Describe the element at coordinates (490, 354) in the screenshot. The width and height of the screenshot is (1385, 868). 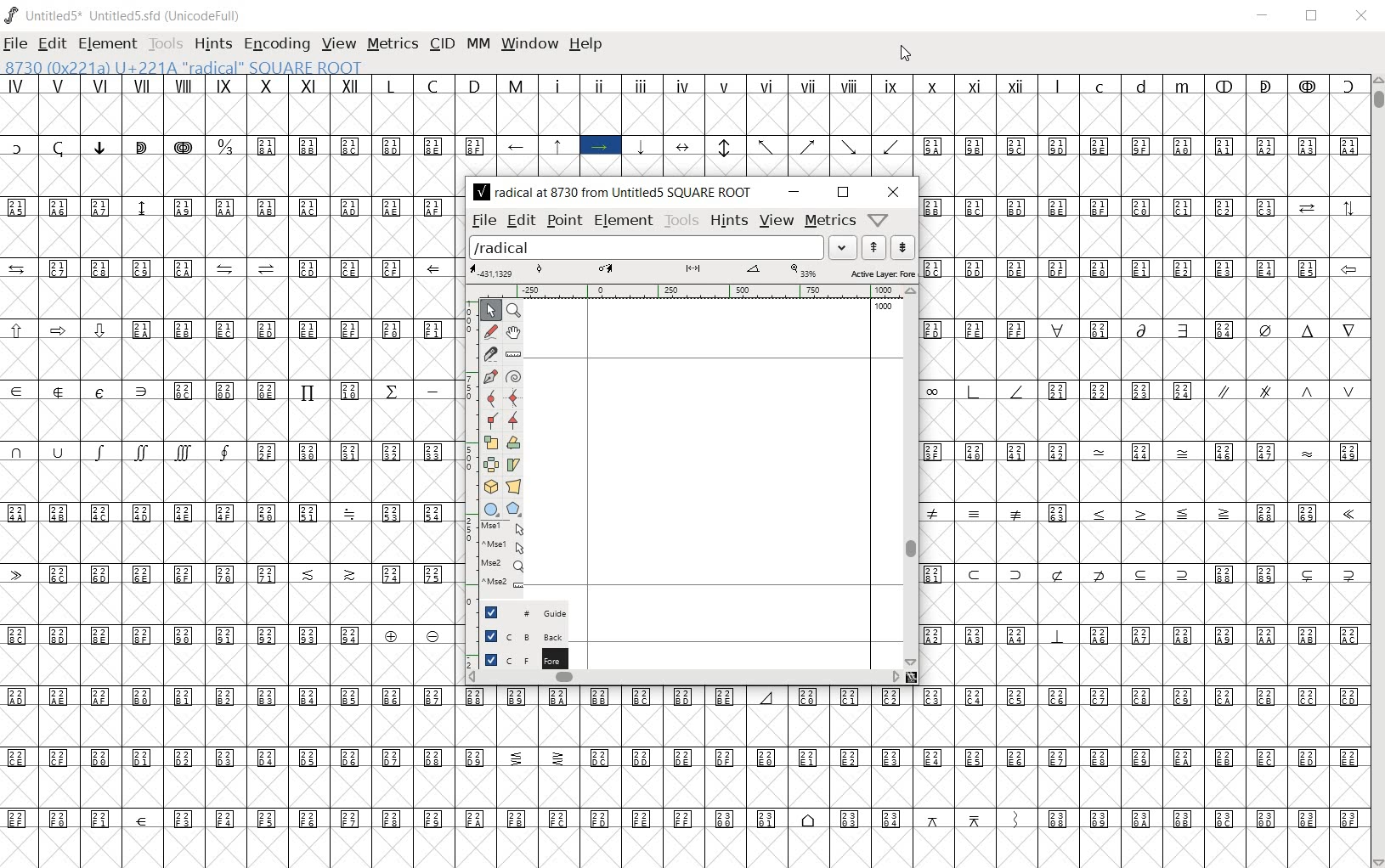
I see `cut splines in two` at that location.